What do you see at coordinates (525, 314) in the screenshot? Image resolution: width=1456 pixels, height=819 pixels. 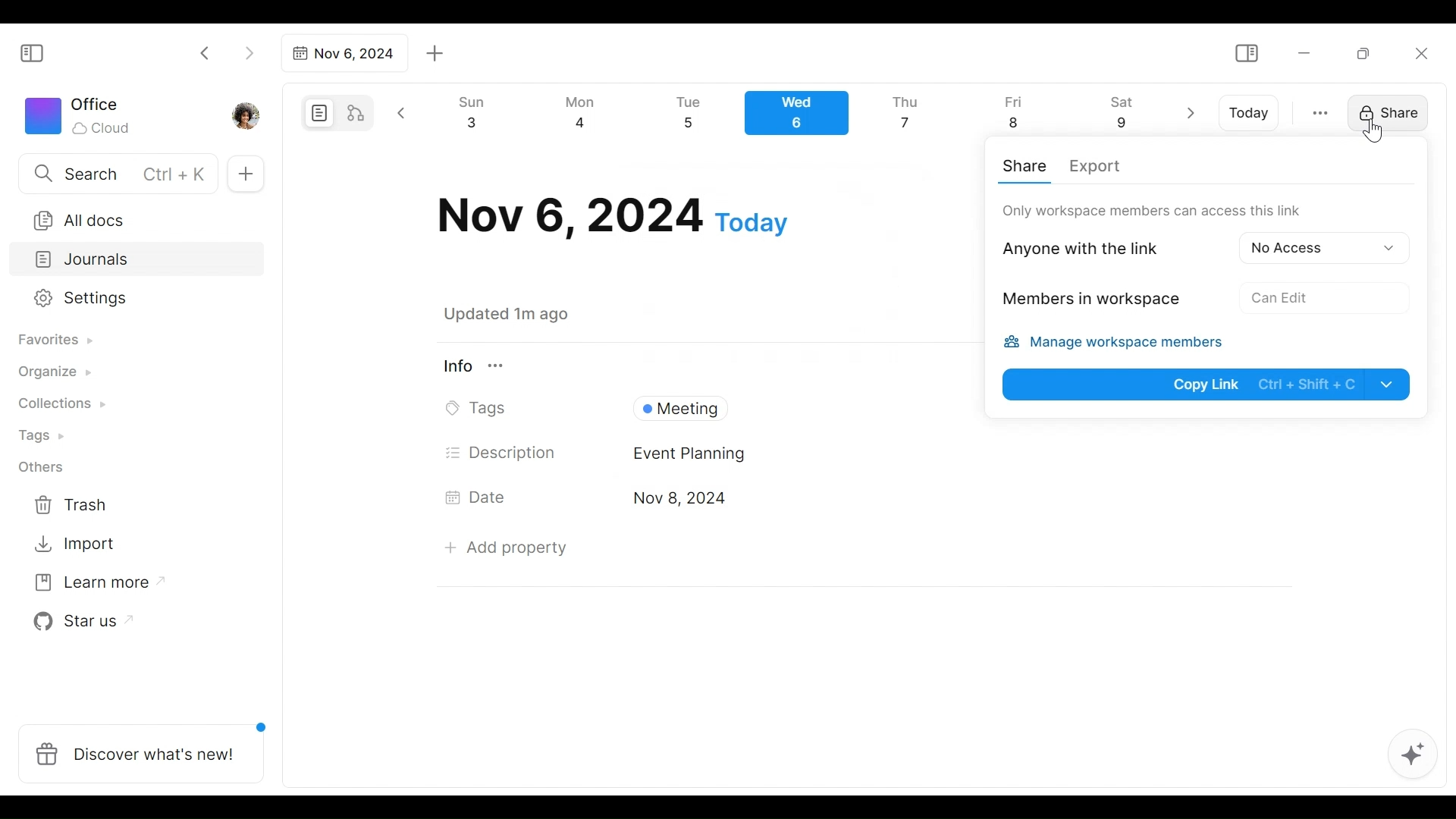 I see `Saved` at bounding box center [525, 314].